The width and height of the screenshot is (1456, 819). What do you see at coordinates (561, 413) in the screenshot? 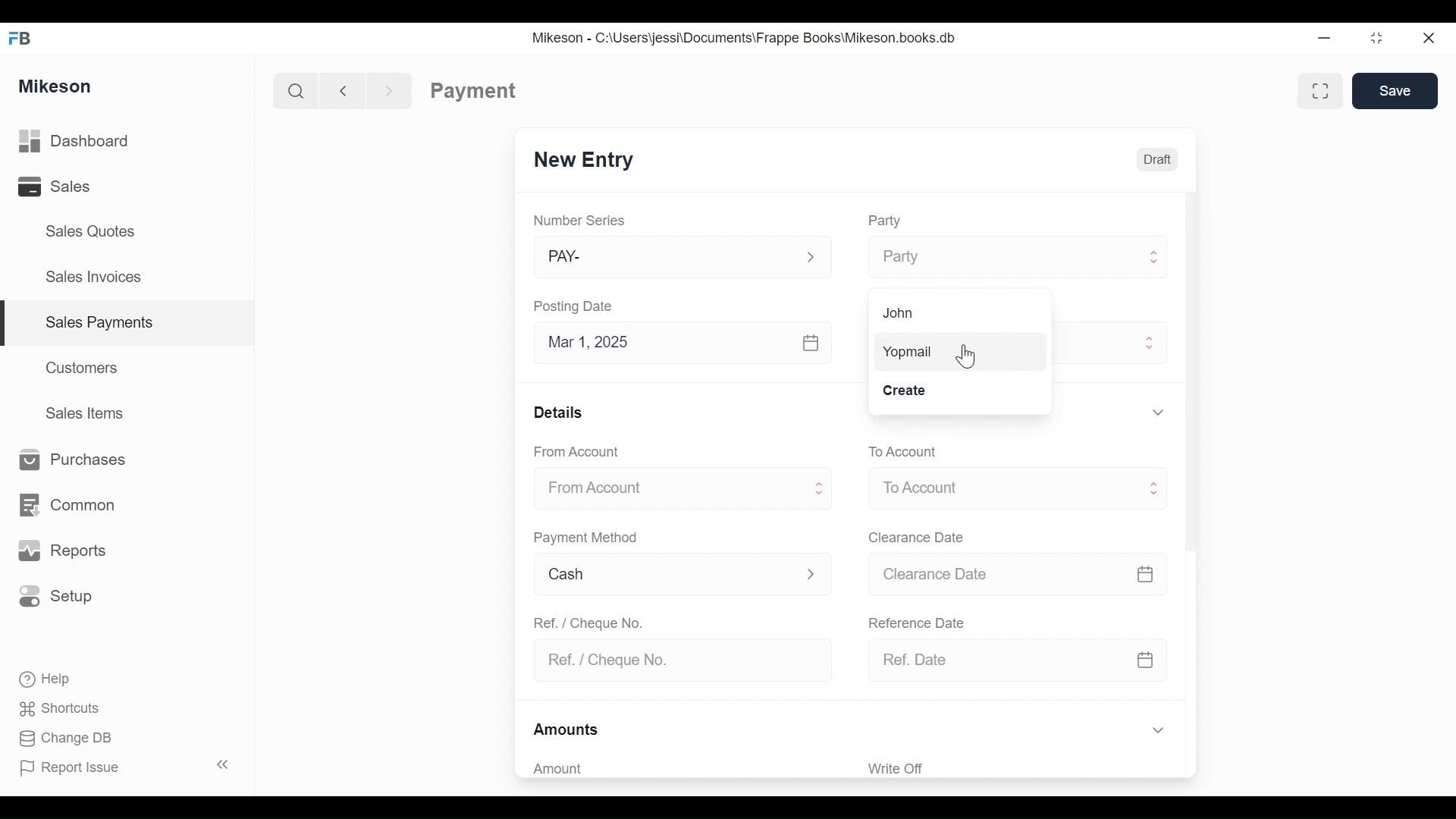
I see `Details` at bounding box center [561, 413].